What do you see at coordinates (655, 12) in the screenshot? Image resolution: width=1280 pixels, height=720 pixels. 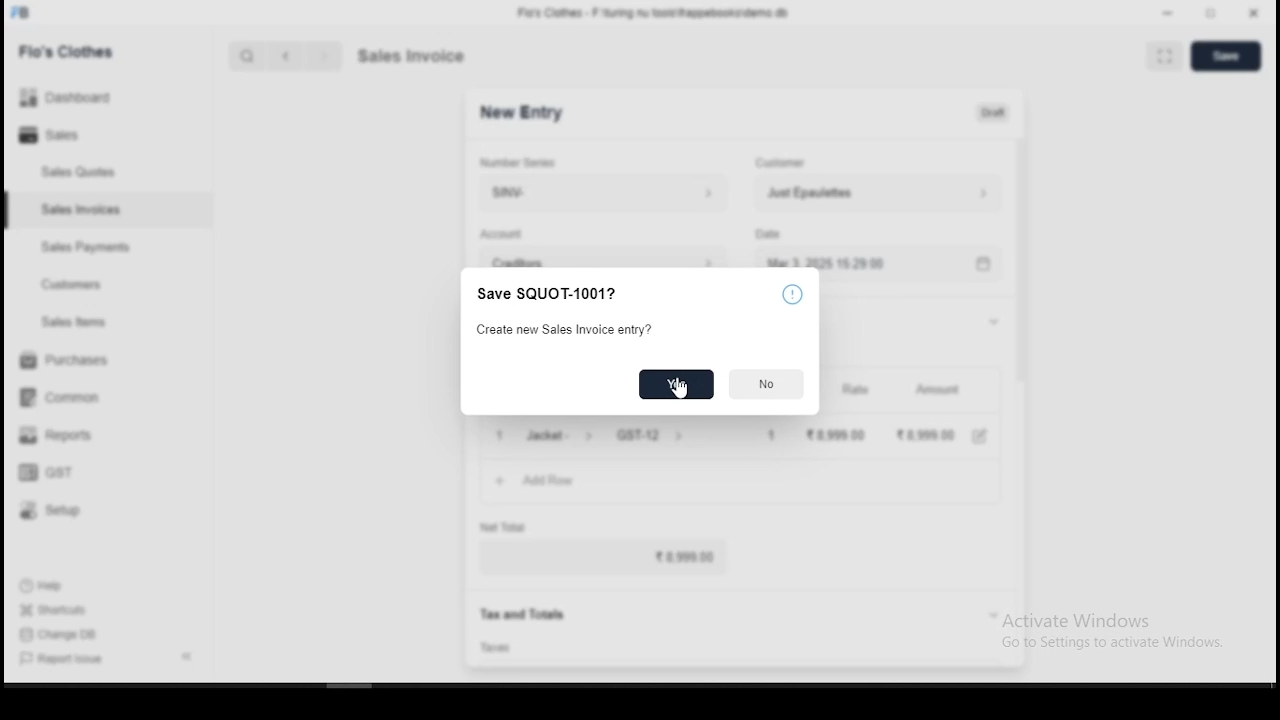 I see `Flo's Clothes - F-\turing nu tools\frappebooks\demo db` at bounding box center [655, 12].